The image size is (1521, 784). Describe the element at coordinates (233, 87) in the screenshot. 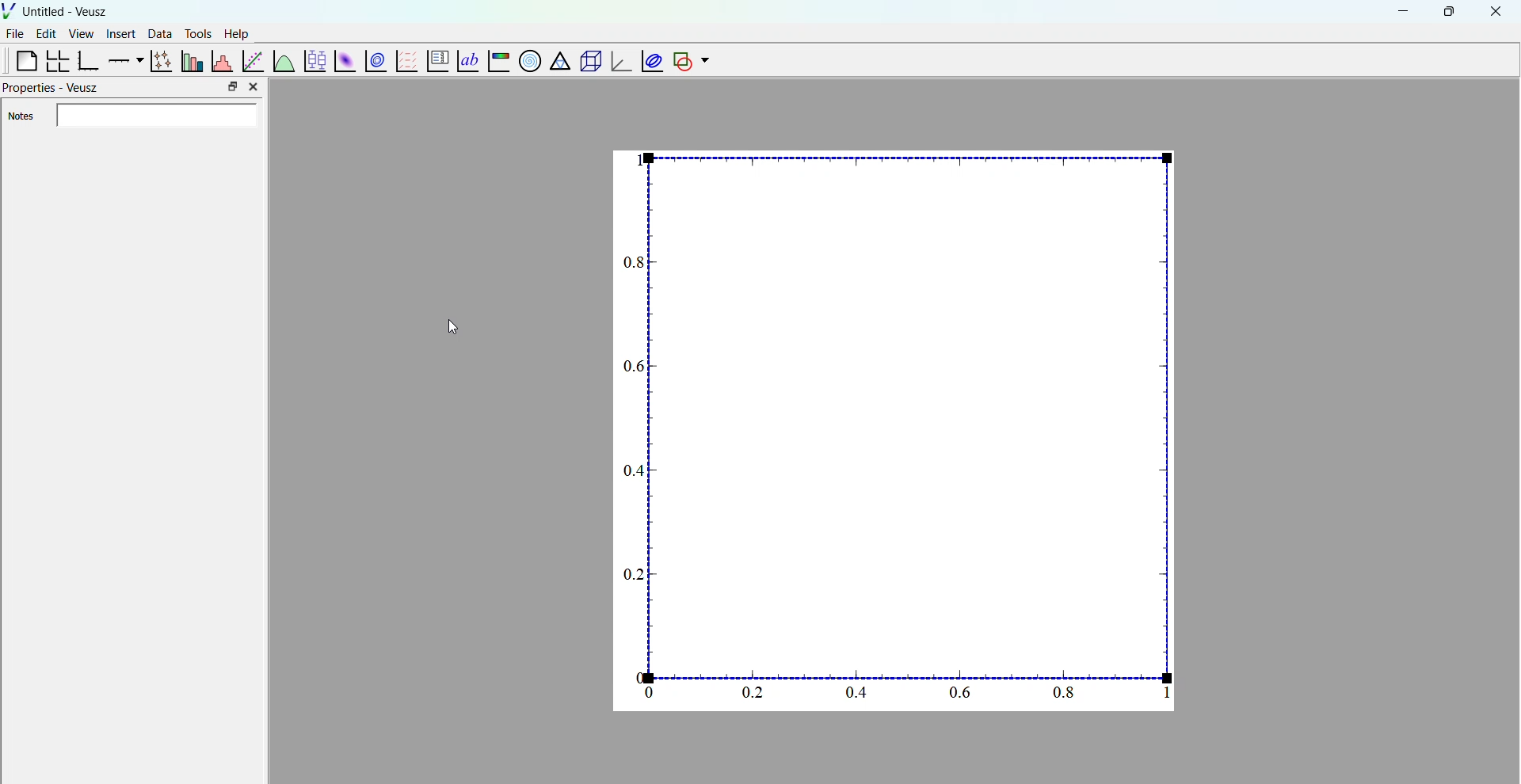

I see `maximize property bar` at that location.